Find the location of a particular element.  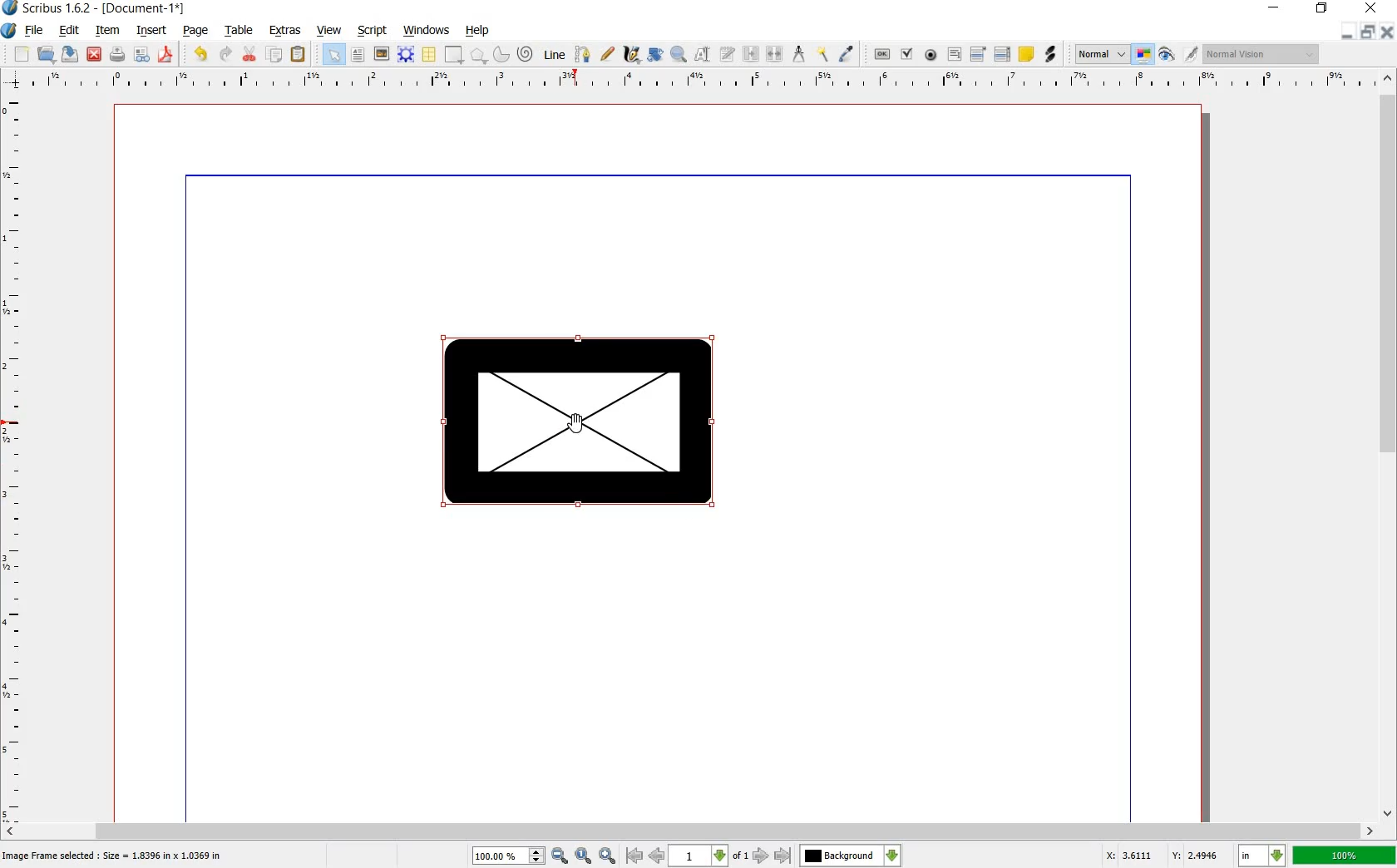

close document is located at coordinates (1389, 30).